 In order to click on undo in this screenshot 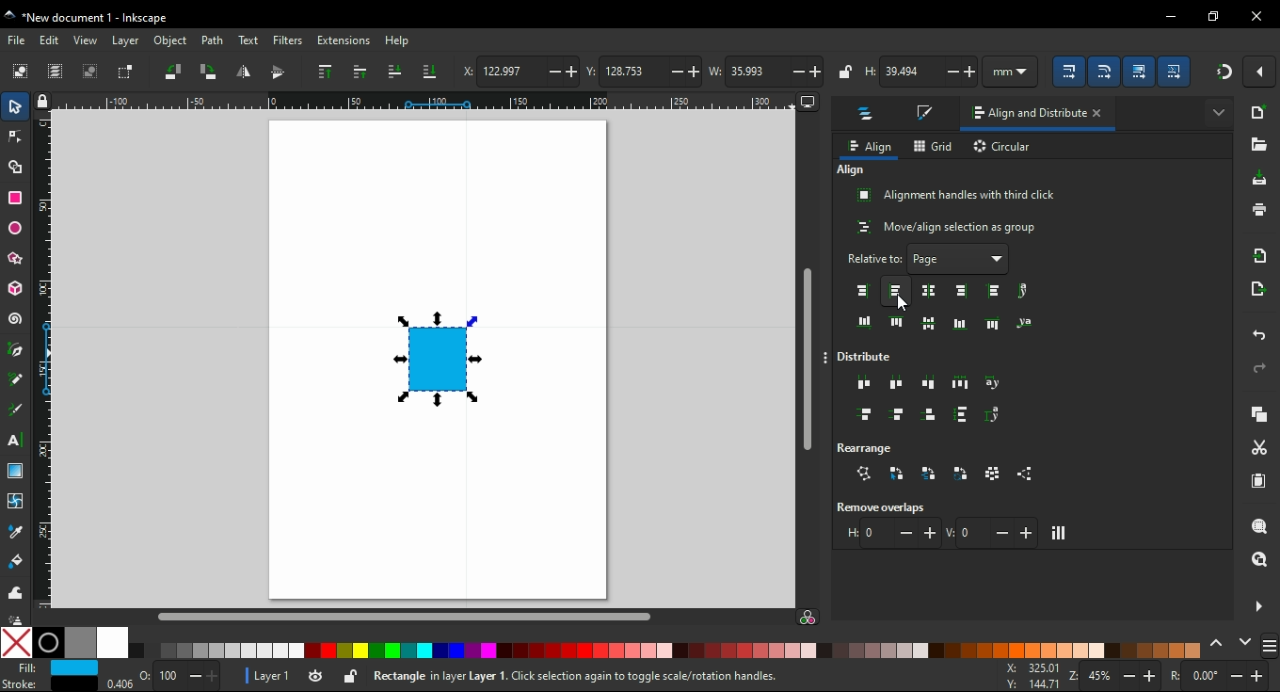, I will do `click(1258, 335)`.